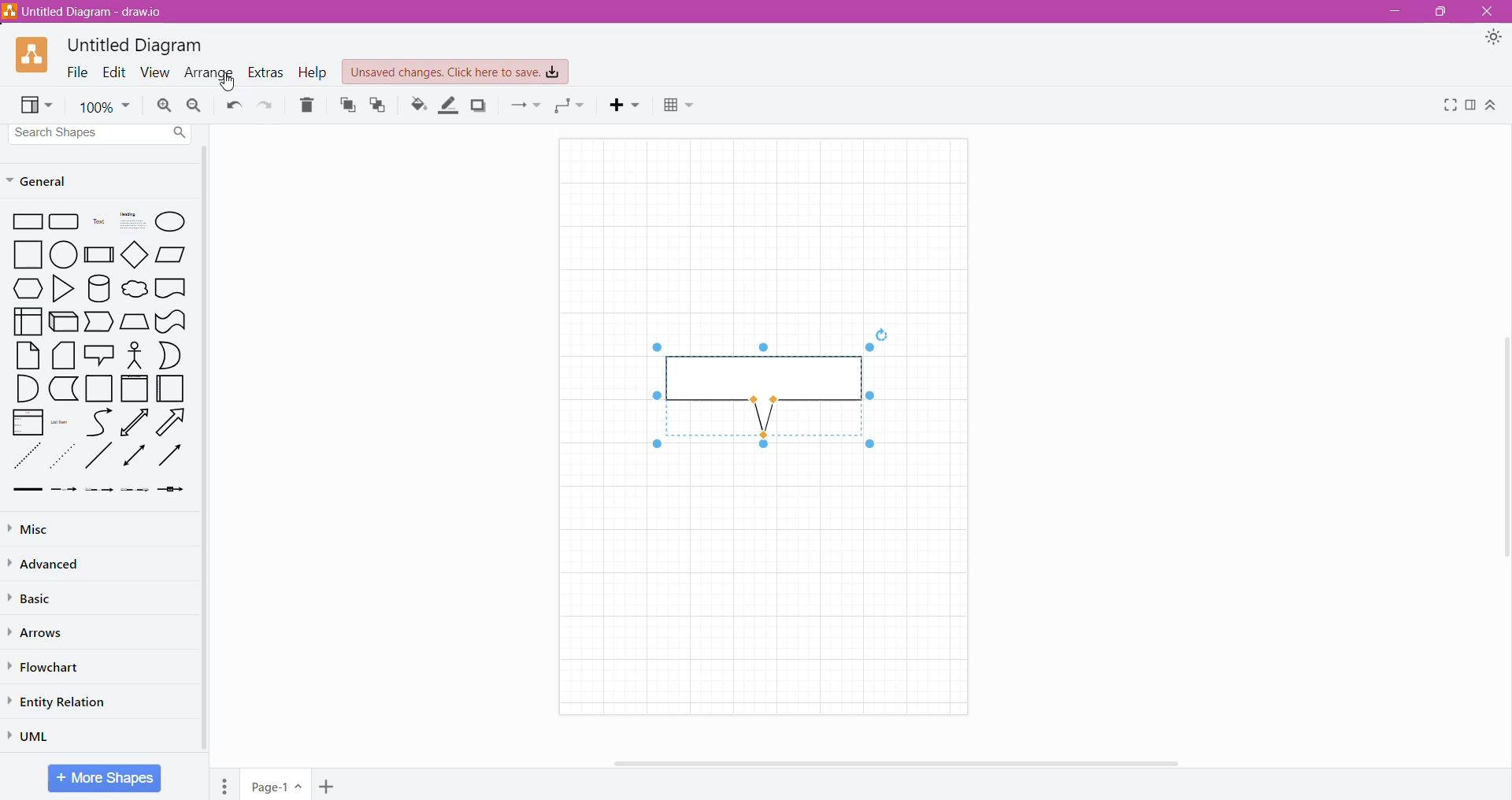  What do you see at coordinates (133, 287) in the screenshot?
I see `cloud` at bounding box center [133, 287].